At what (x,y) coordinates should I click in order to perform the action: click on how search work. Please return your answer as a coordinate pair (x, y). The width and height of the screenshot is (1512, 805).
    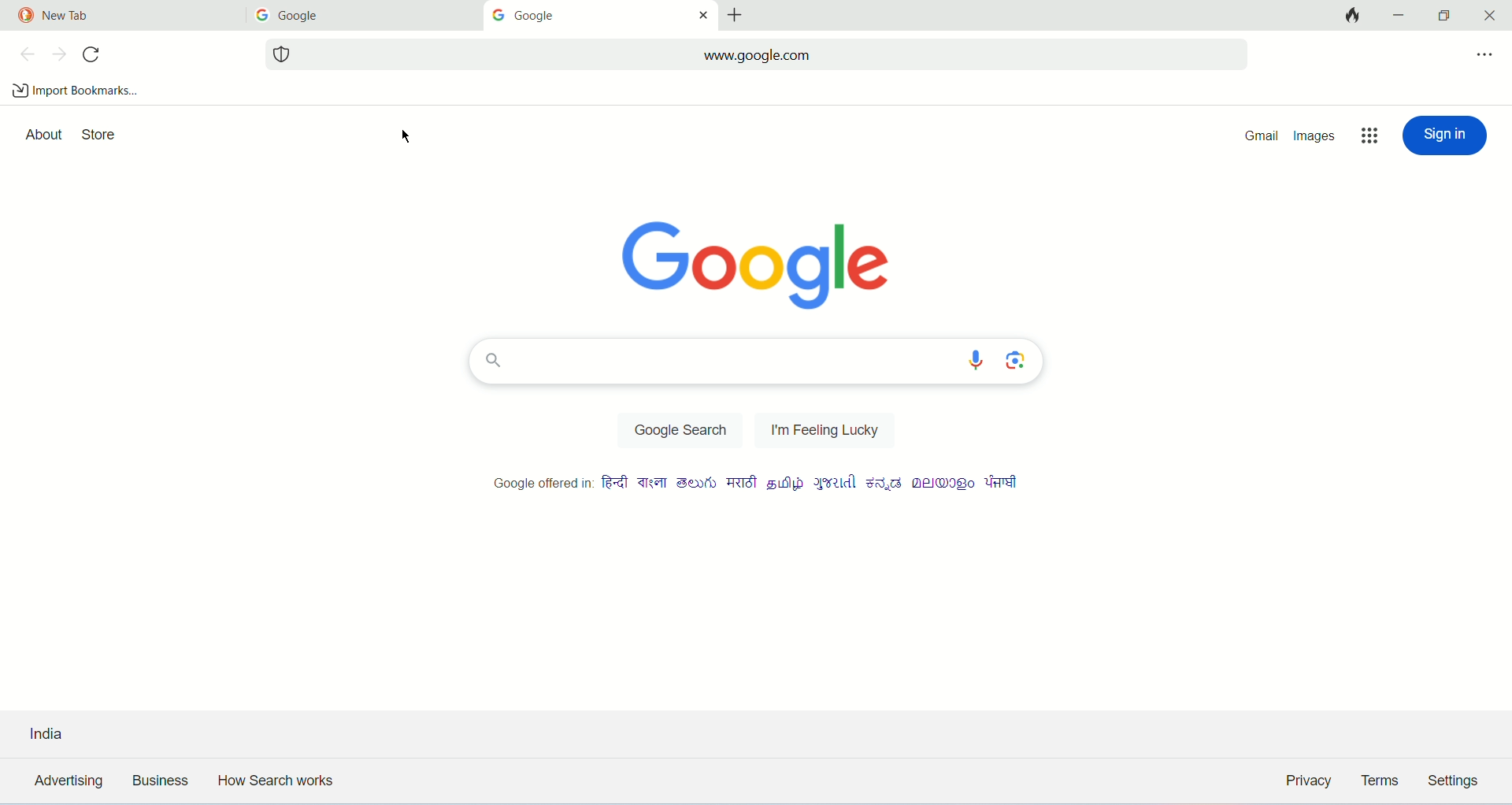
    Looking at the image, I should click on (276, 780).